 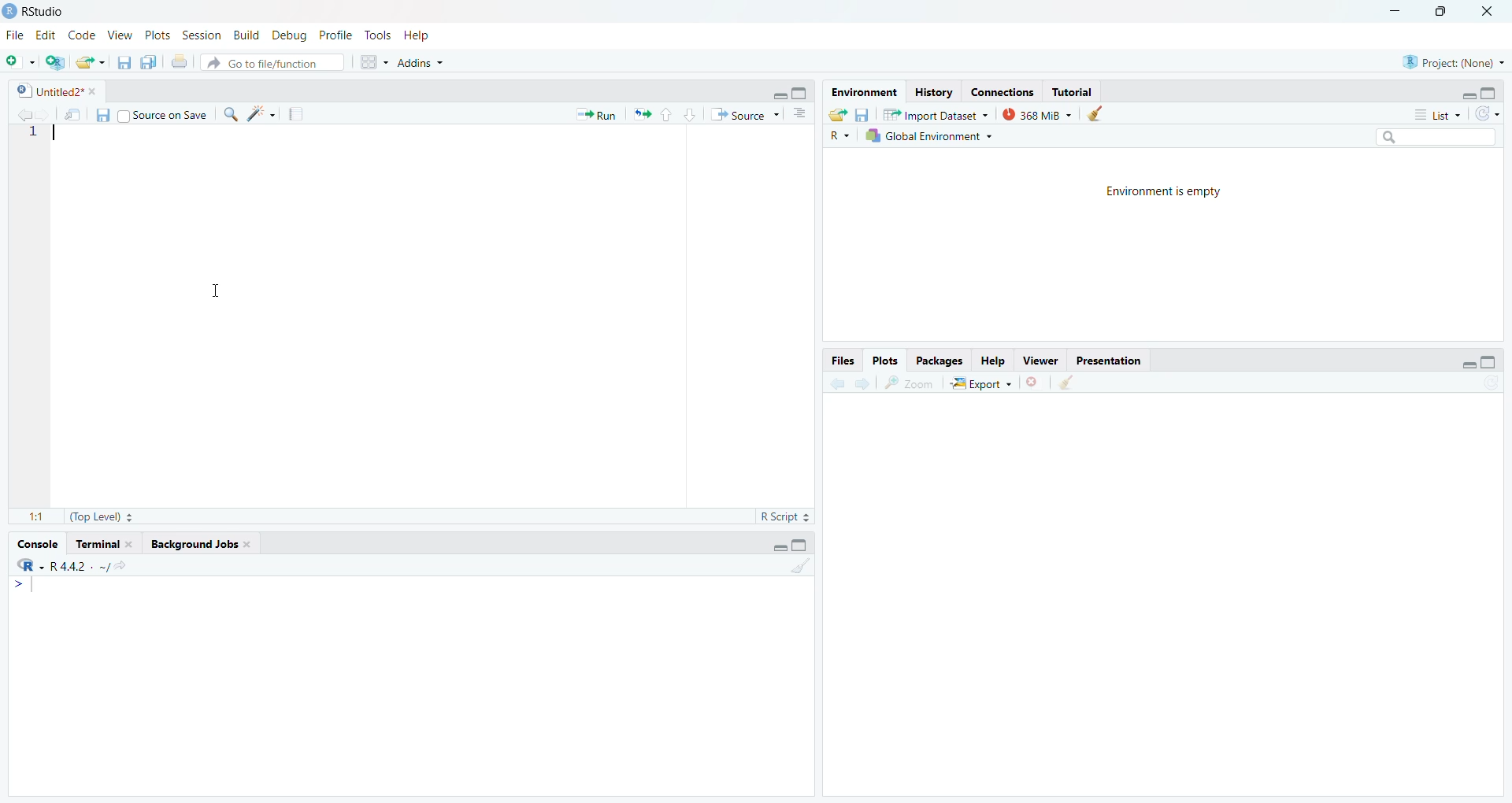 What do you see at coordinates (245, 36) in the screenshot?
I see `n Build` at bounding box center [245, 36].